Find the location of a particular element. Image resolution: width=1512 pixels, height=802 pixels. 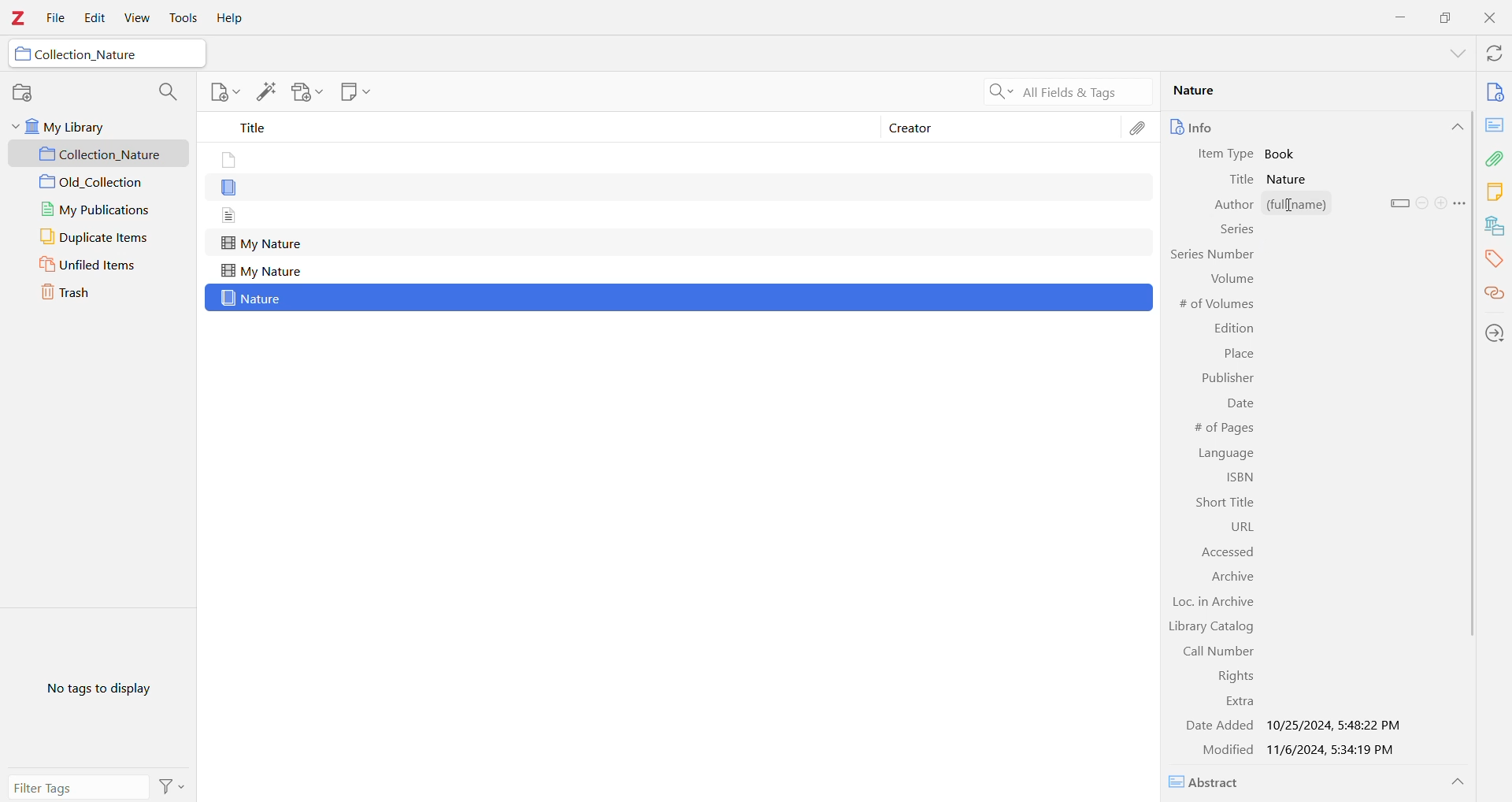

Nature is located at coordinates (254, 299).